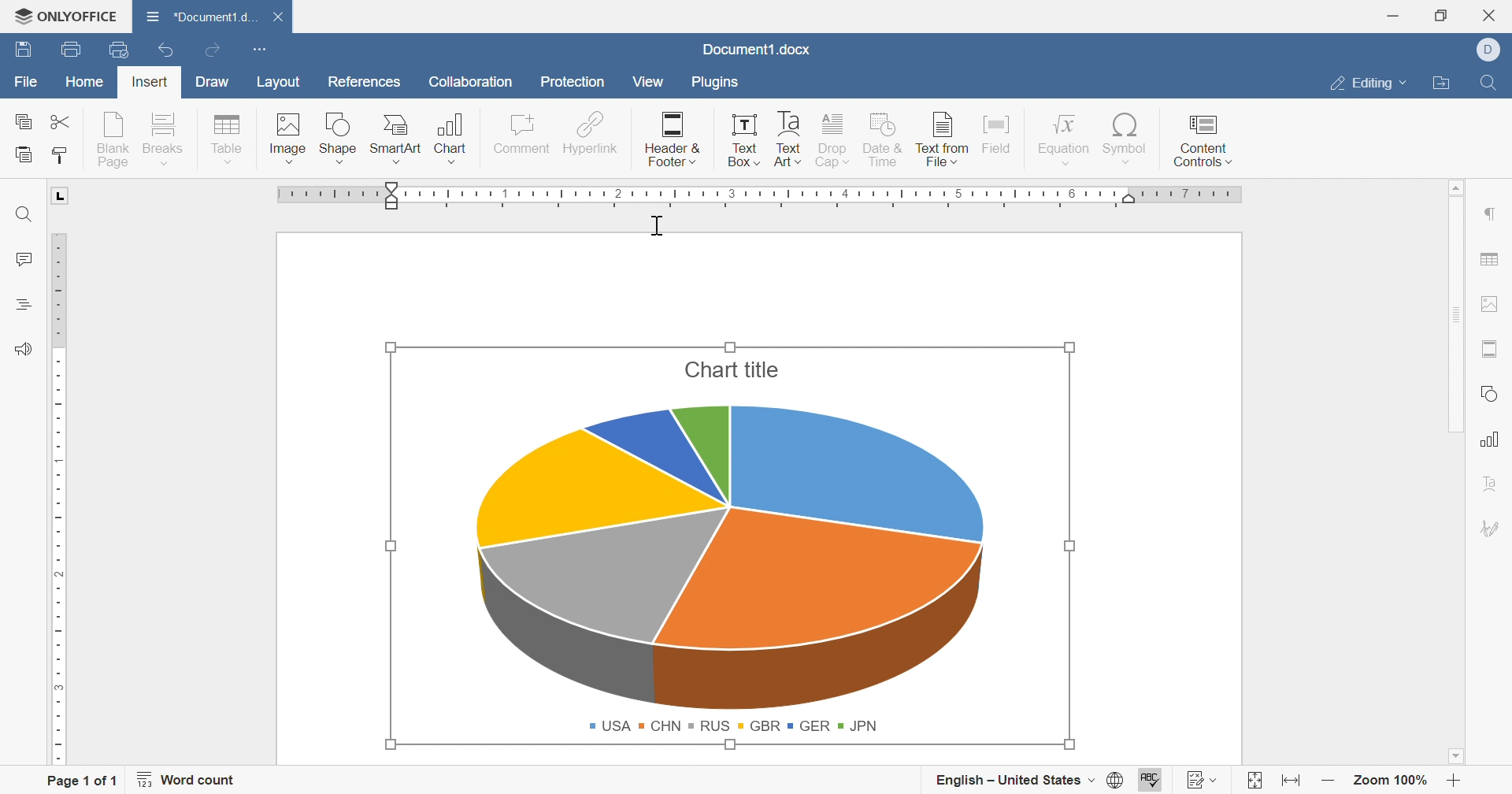  Describe the element at coordinates (189, 779) in the screenshot. I see `Word Count` at that location.